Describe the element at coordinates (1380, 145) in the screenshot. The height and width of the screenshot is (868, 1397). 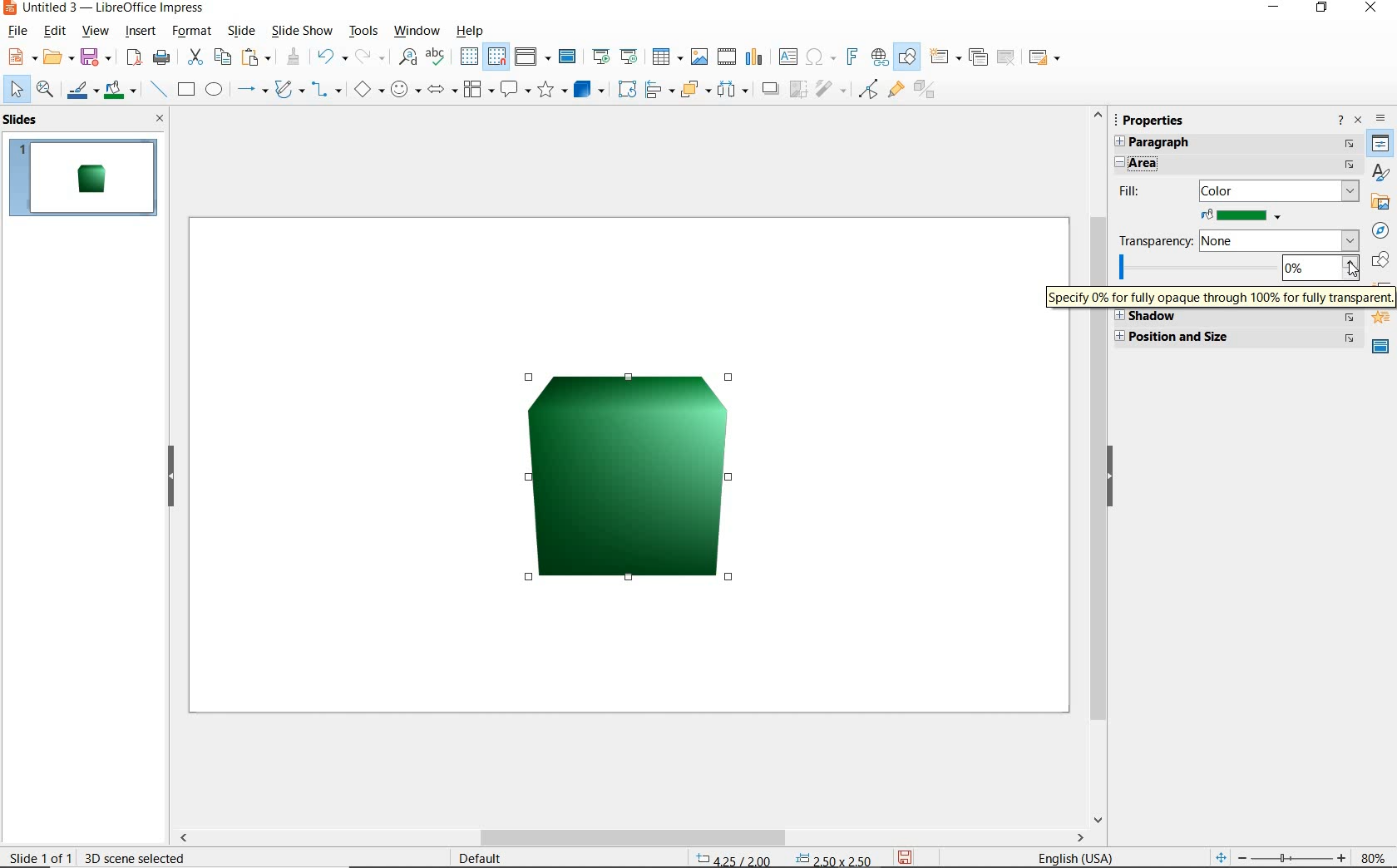
I see `PROPERTIES` at that location.